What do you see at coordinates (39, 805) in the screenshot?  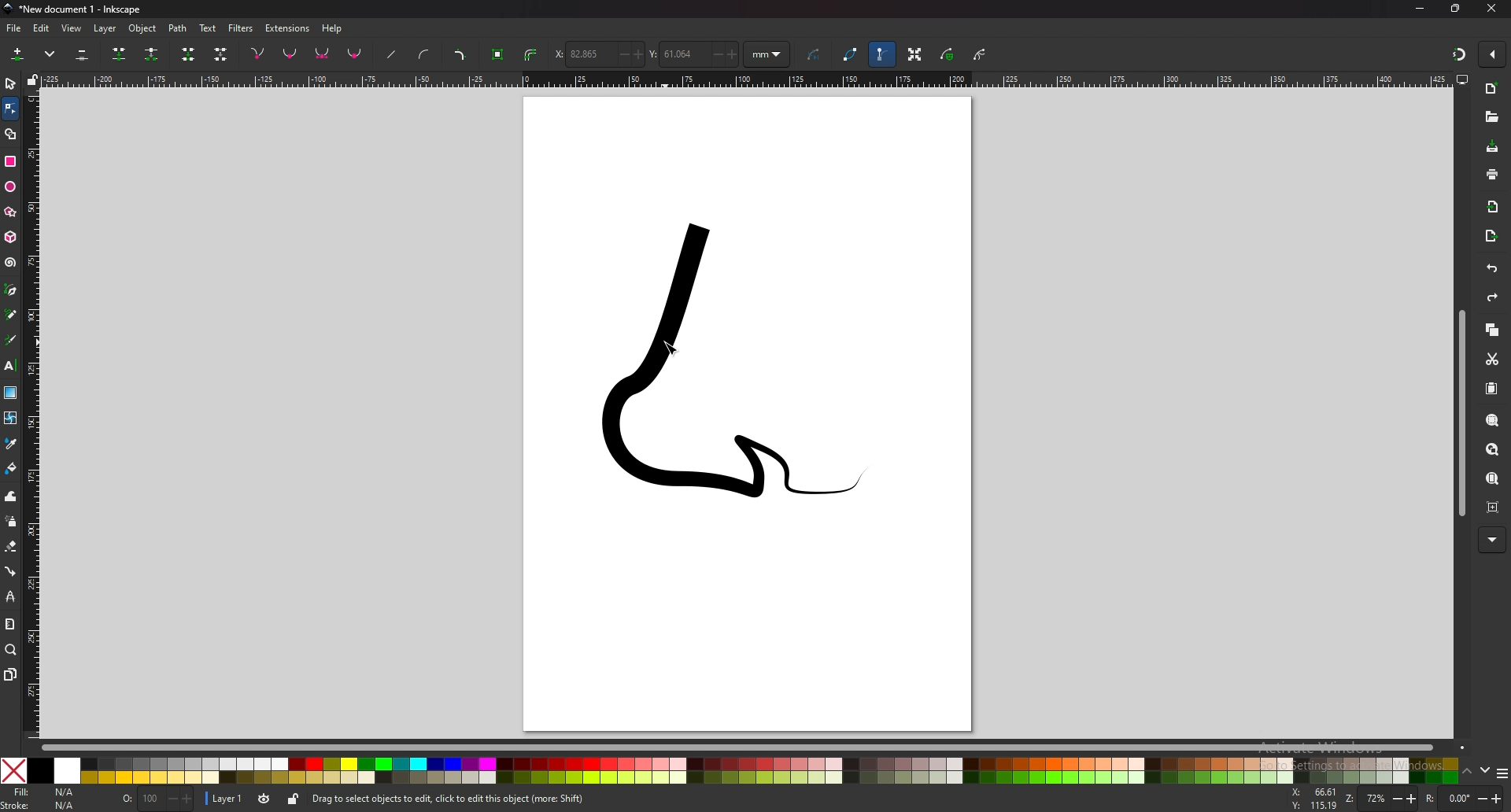 I see `stroke` at bounding box center [39, 805].